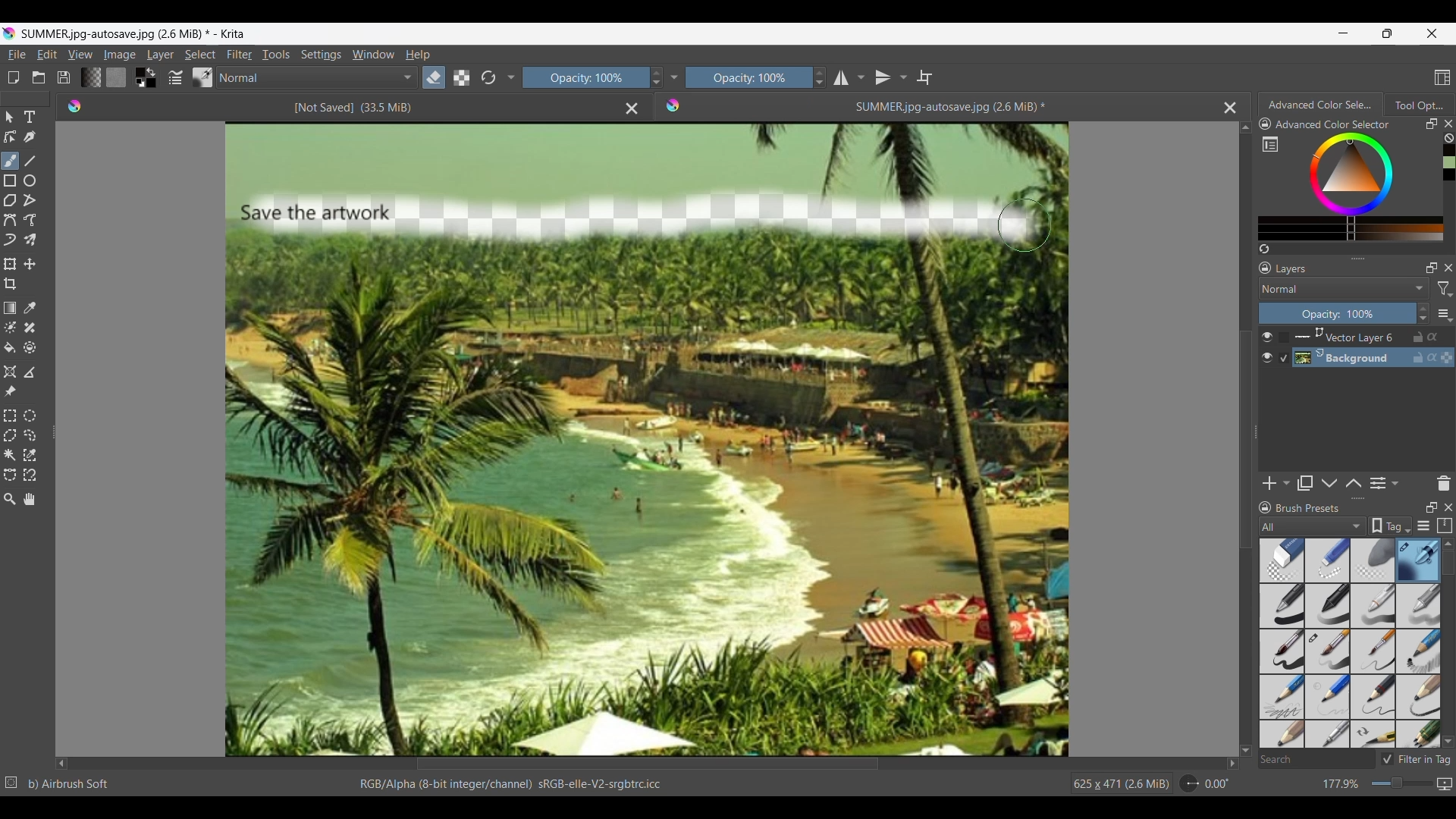 Image resolution: width=1456 pixels, height=819 pixels. Describe the element at coordinates (138, 83) in the screenshot. I see `Set foreground and background color as white and black respectively` at that location.